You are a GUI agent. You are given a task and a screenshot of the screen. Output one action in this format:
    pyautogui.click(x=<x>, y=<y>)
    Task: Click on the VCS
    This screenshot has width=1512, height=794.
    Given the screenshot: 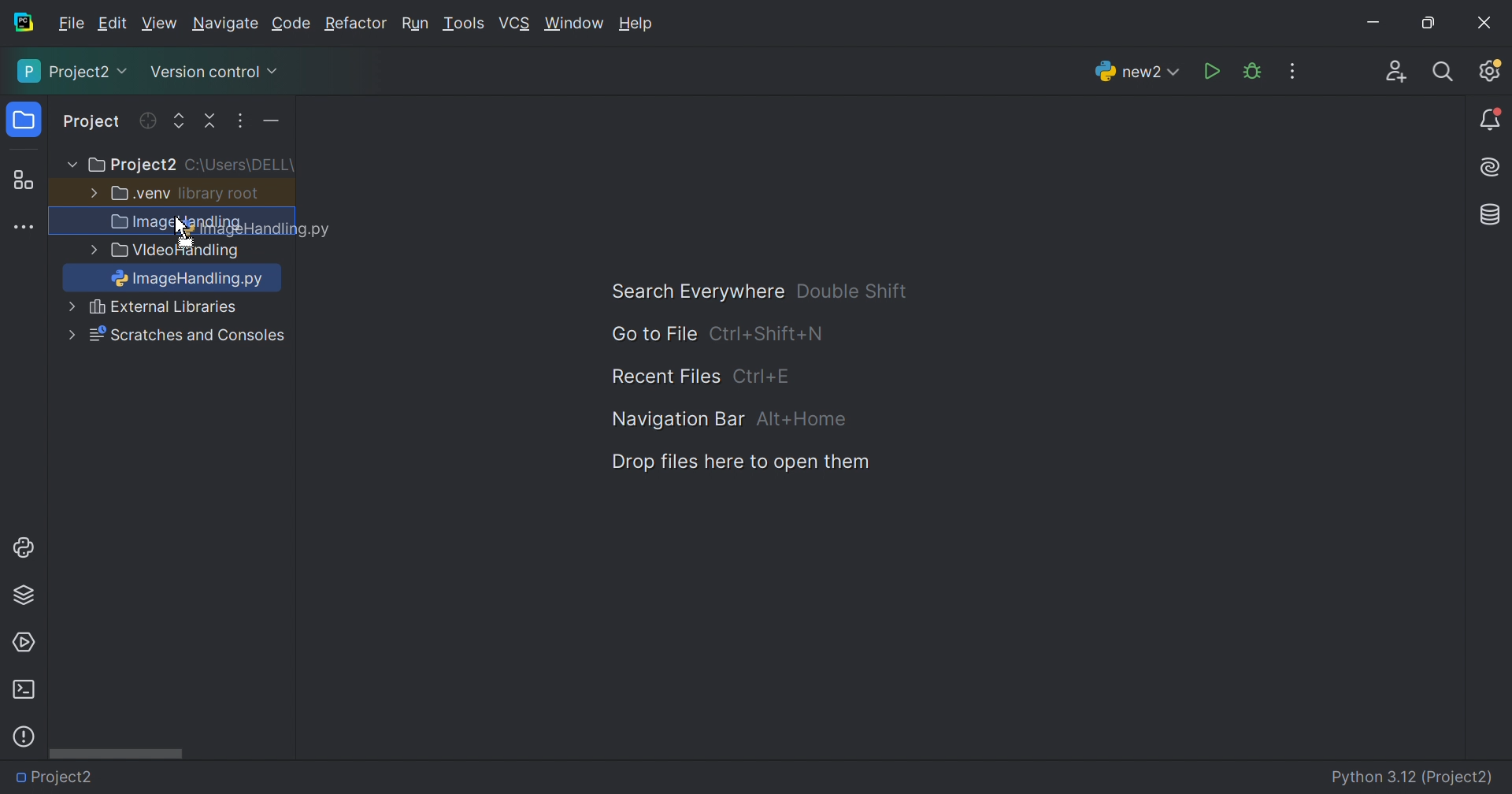 What is the action you would take?
    pyautogui.click(x=516, y=24)
    